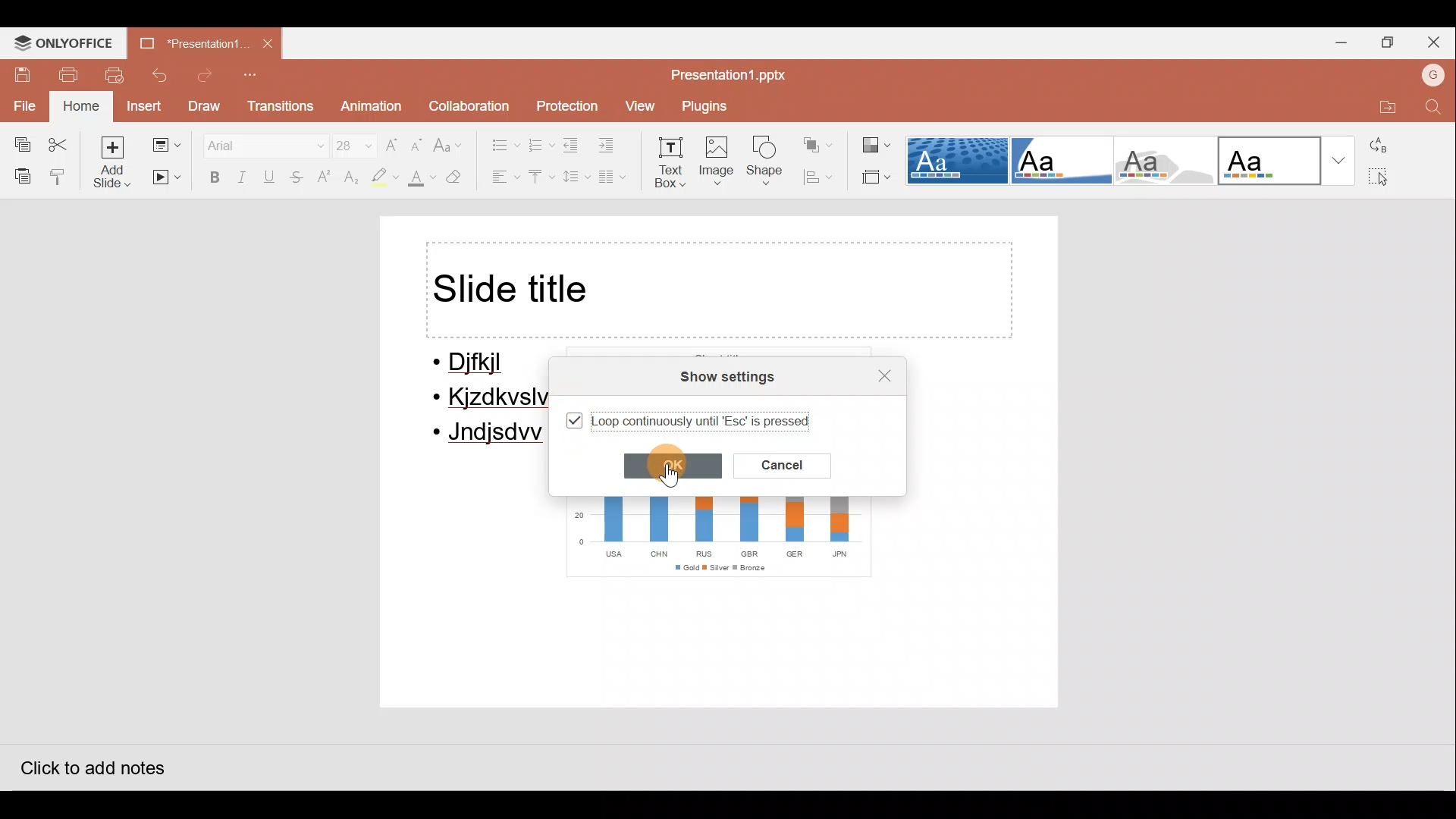  I want to click on Transitions, so click(281, 106).